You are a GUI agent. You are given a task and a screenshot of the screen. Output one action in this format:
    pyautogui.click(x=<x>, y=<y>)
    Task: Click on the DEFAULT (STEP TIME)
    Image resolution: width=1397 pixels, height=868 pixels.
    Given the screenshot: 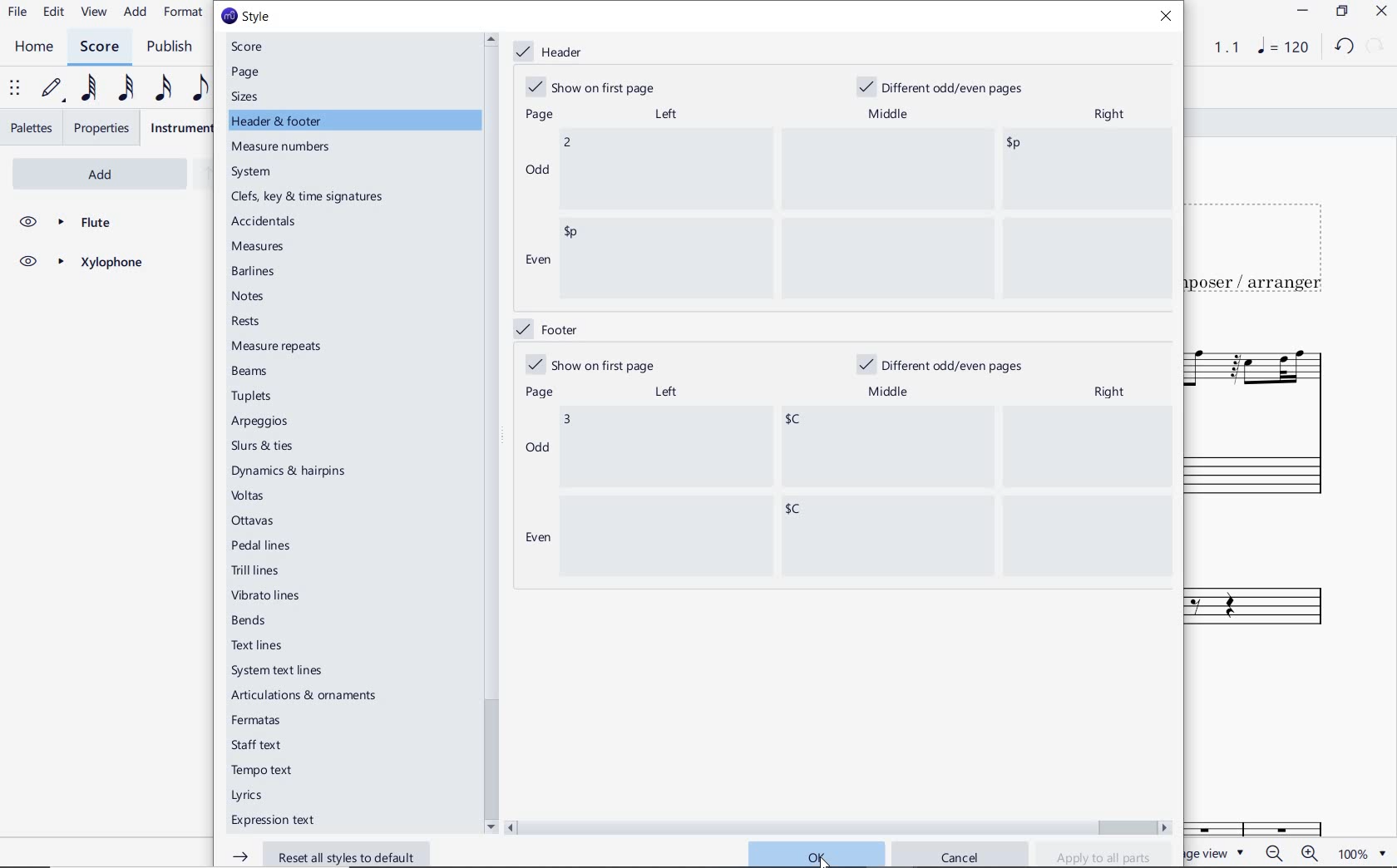 What is the action you would take?
    pyautogui.click(x=52, y=91)
    